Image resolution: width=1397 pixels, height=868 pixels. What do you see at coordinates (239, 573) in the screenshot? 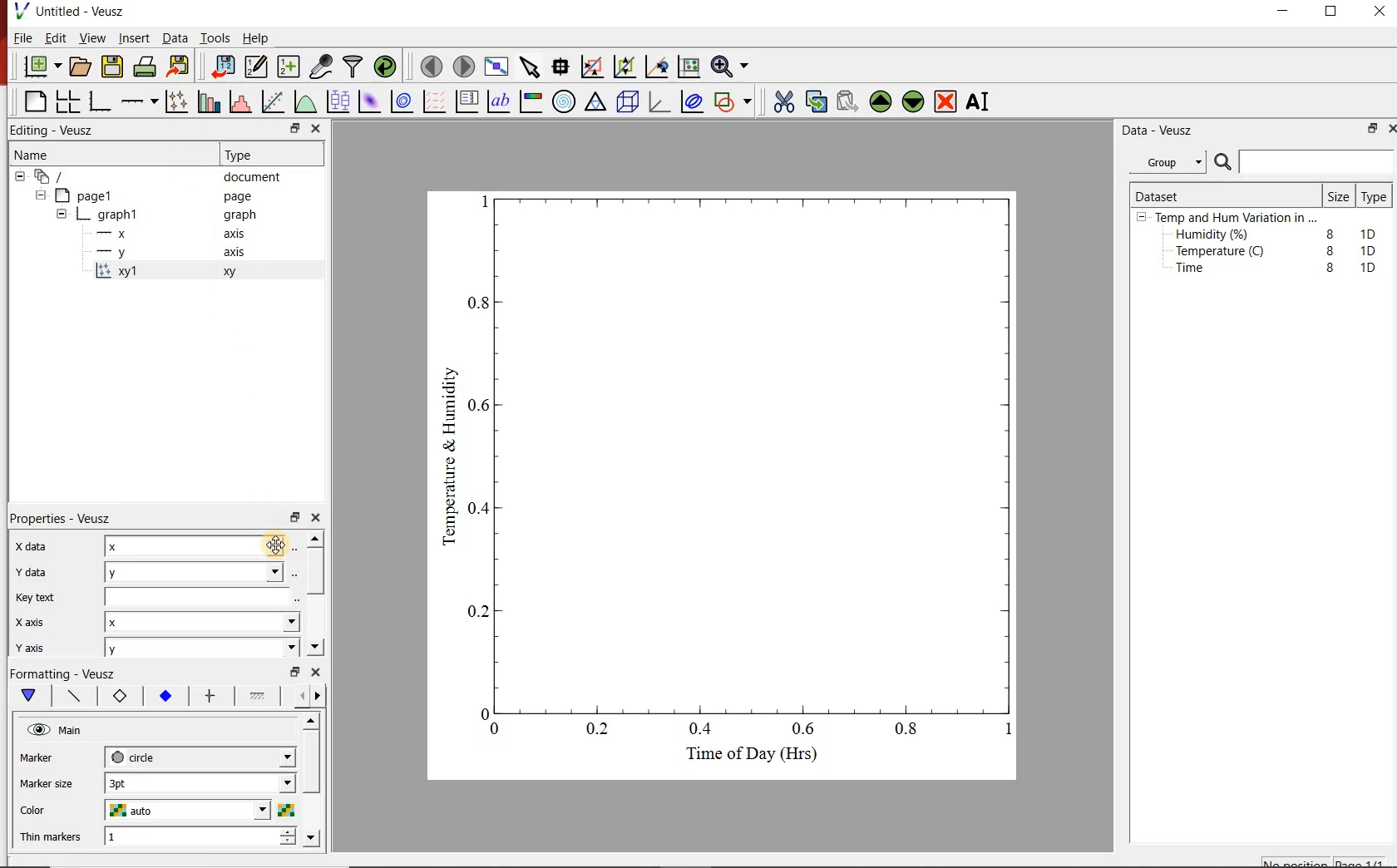
I see `y data dropdown` at bounding box center [239, 573].